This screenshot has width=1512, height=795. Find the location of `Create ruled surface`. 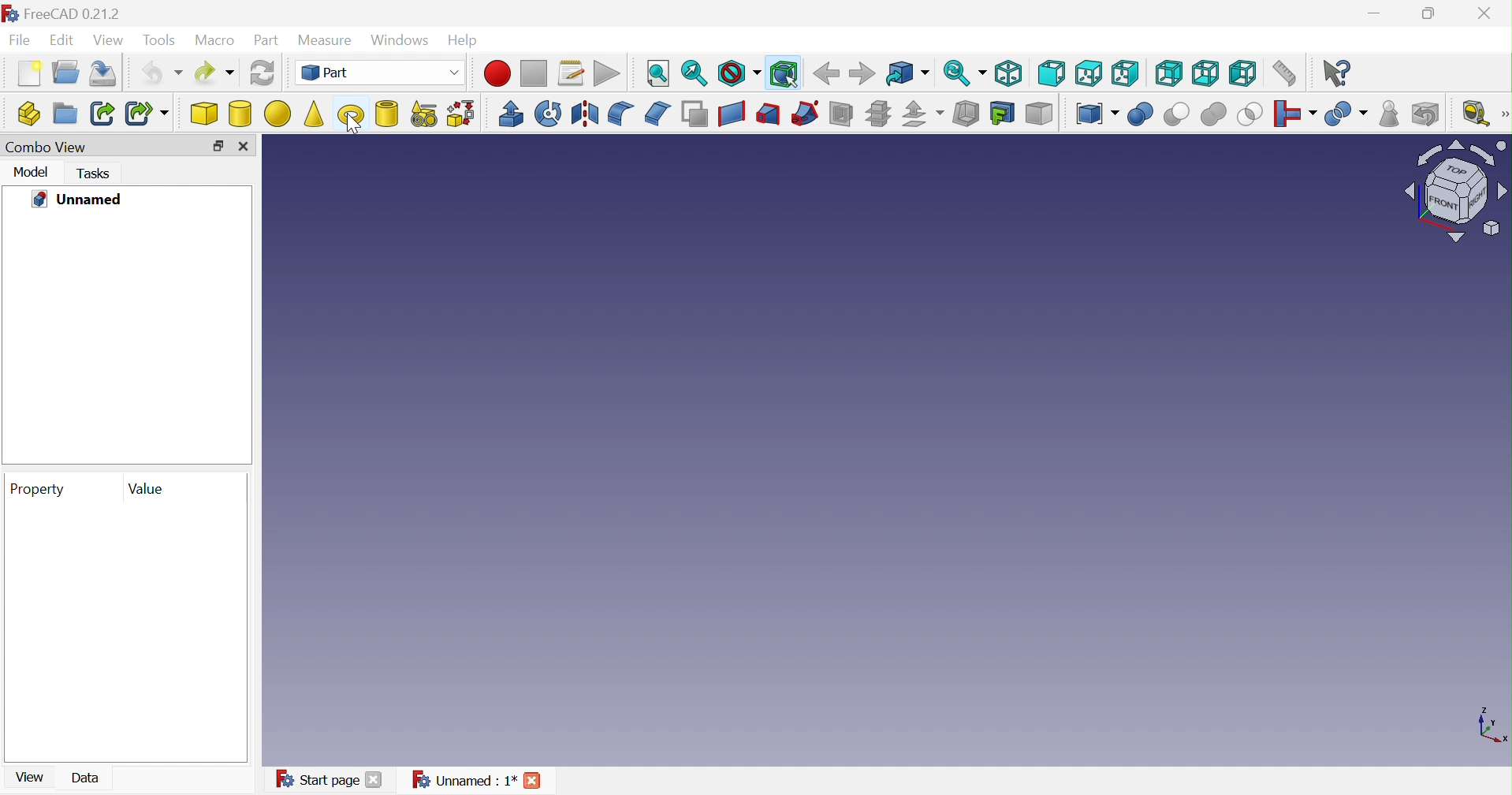

Create ruled surface is located at coordinates (730, 114).